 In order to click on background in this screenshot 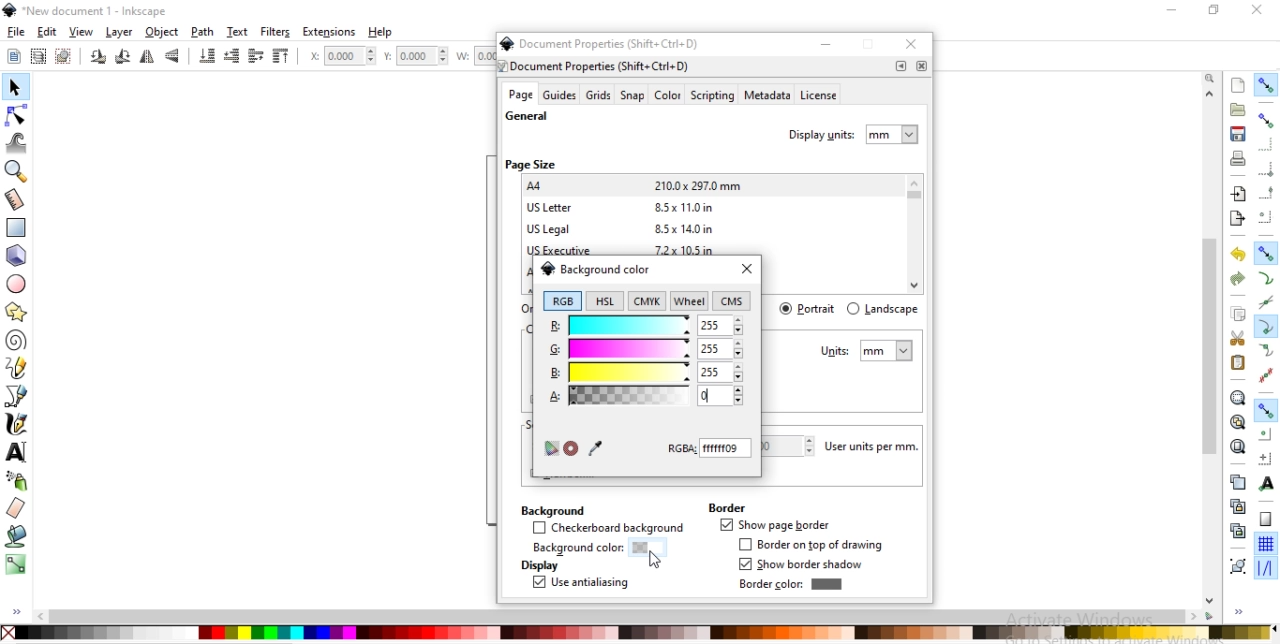, I will do `click(551, 509)`.